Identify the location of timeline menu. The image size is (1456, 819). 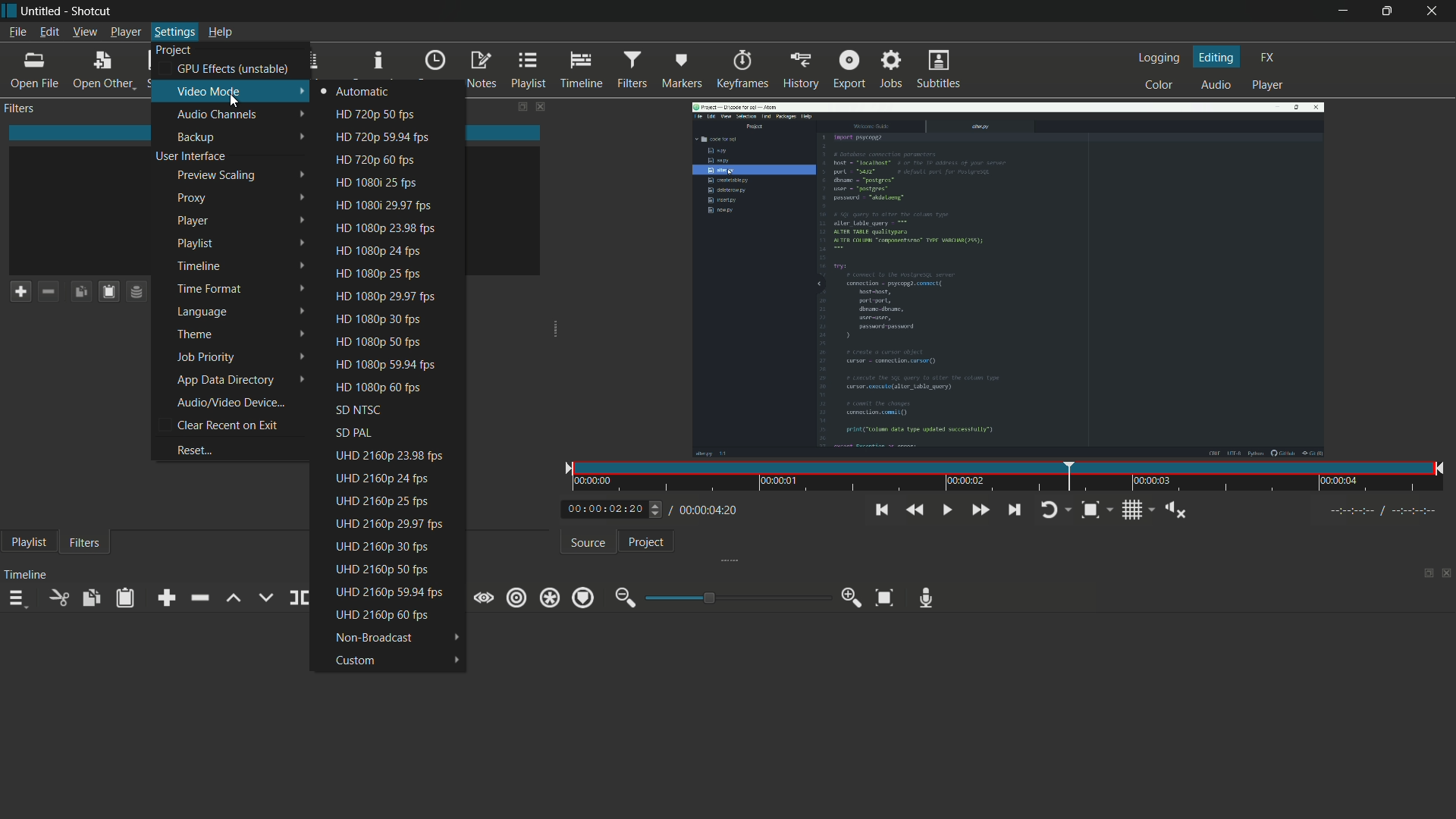
(17, 599).